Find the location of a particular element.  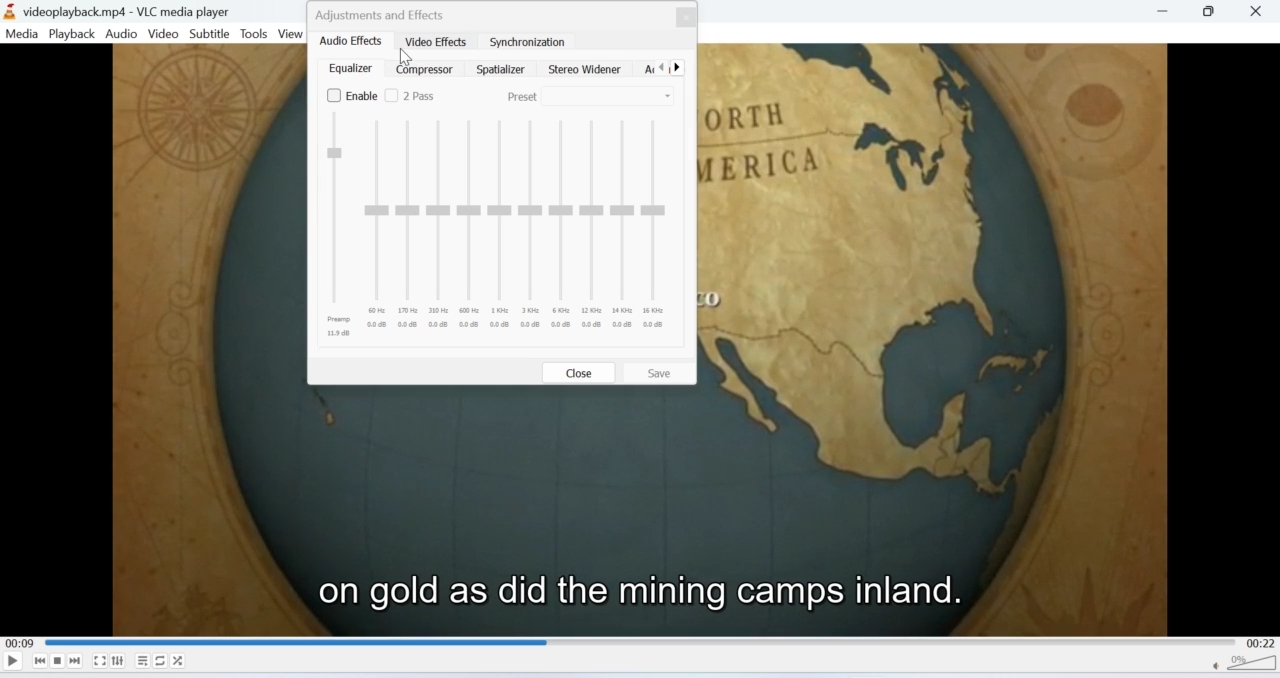

View is located at coordinates (291, 34).